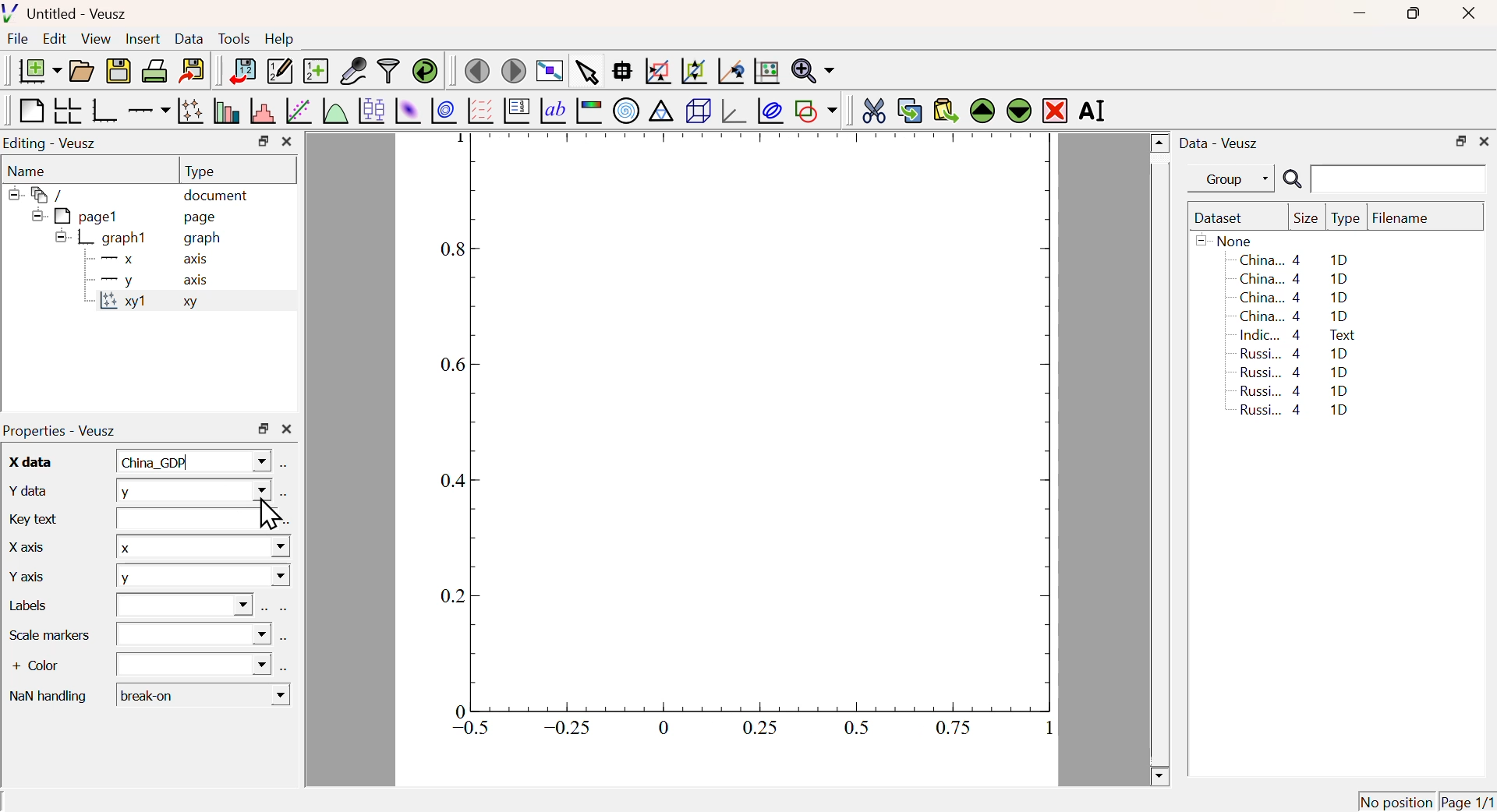 This screenshot has height=812, width=1497. I want to click on Editing - Veusz, so click(52, 144).